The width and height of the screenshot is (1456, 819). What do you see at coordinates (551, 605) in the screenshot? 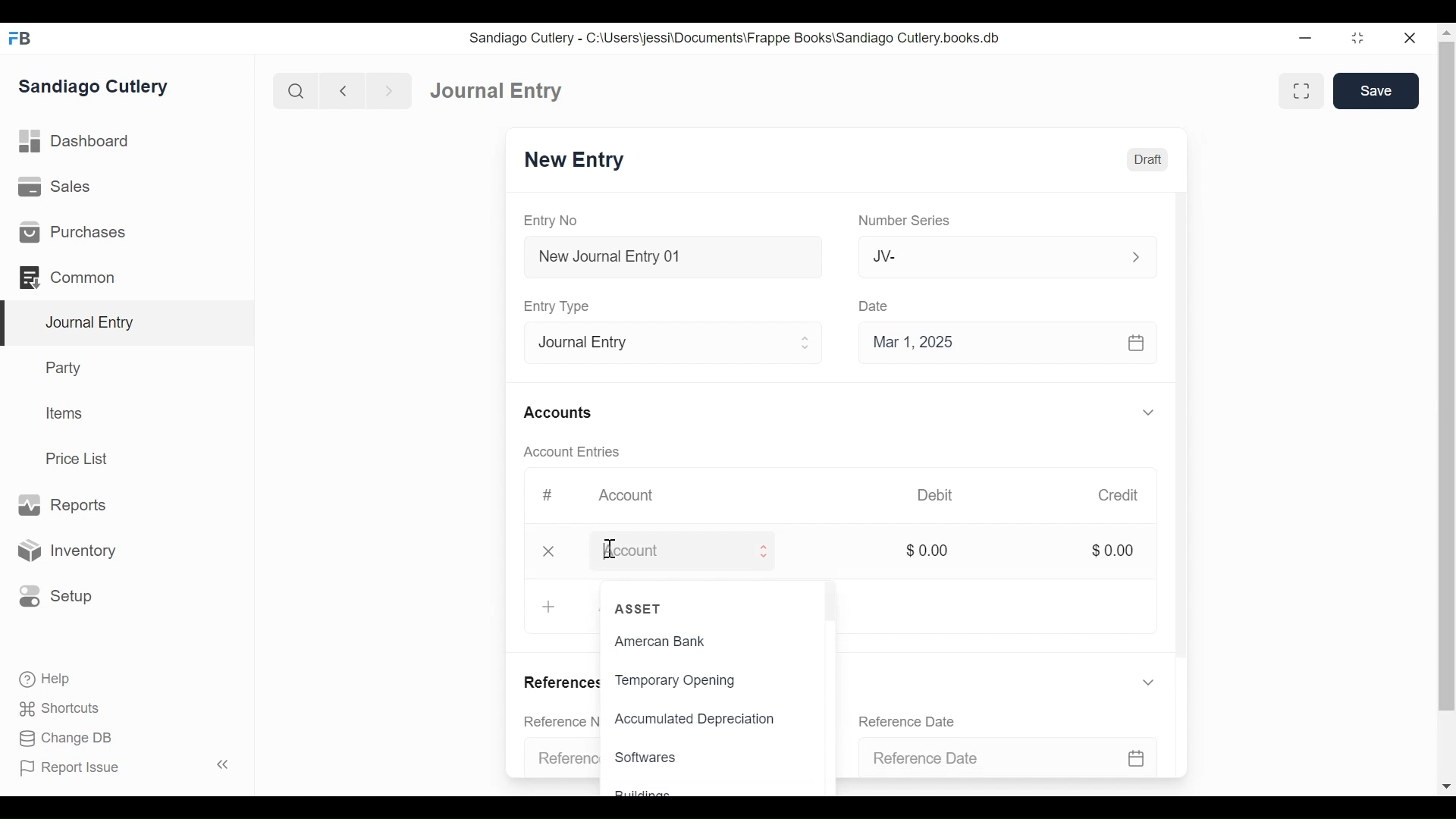
I see `Add Row` at bounding box center [551, 605].